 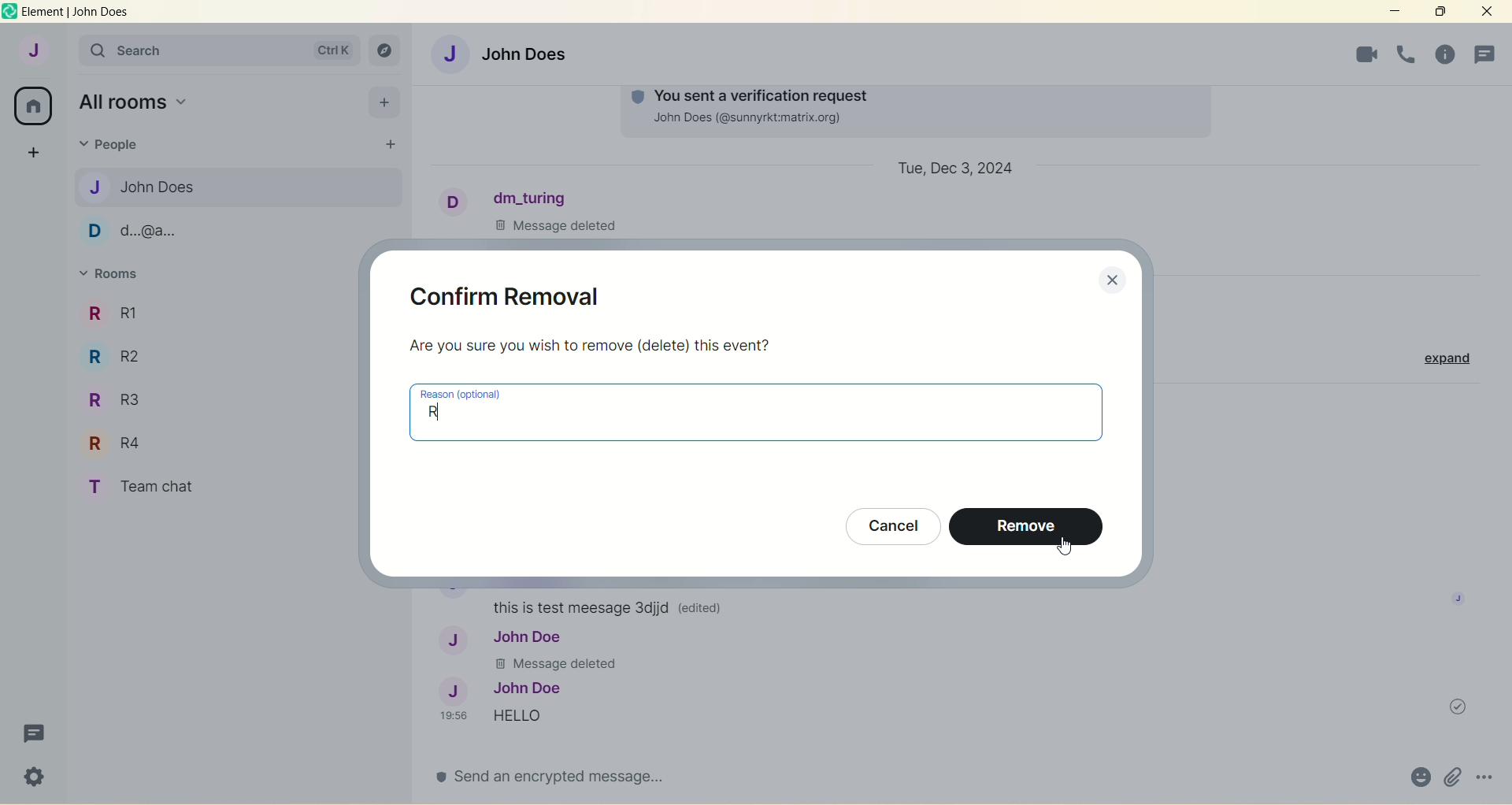 I want to click on message sent, so click(x=1452, y=707).